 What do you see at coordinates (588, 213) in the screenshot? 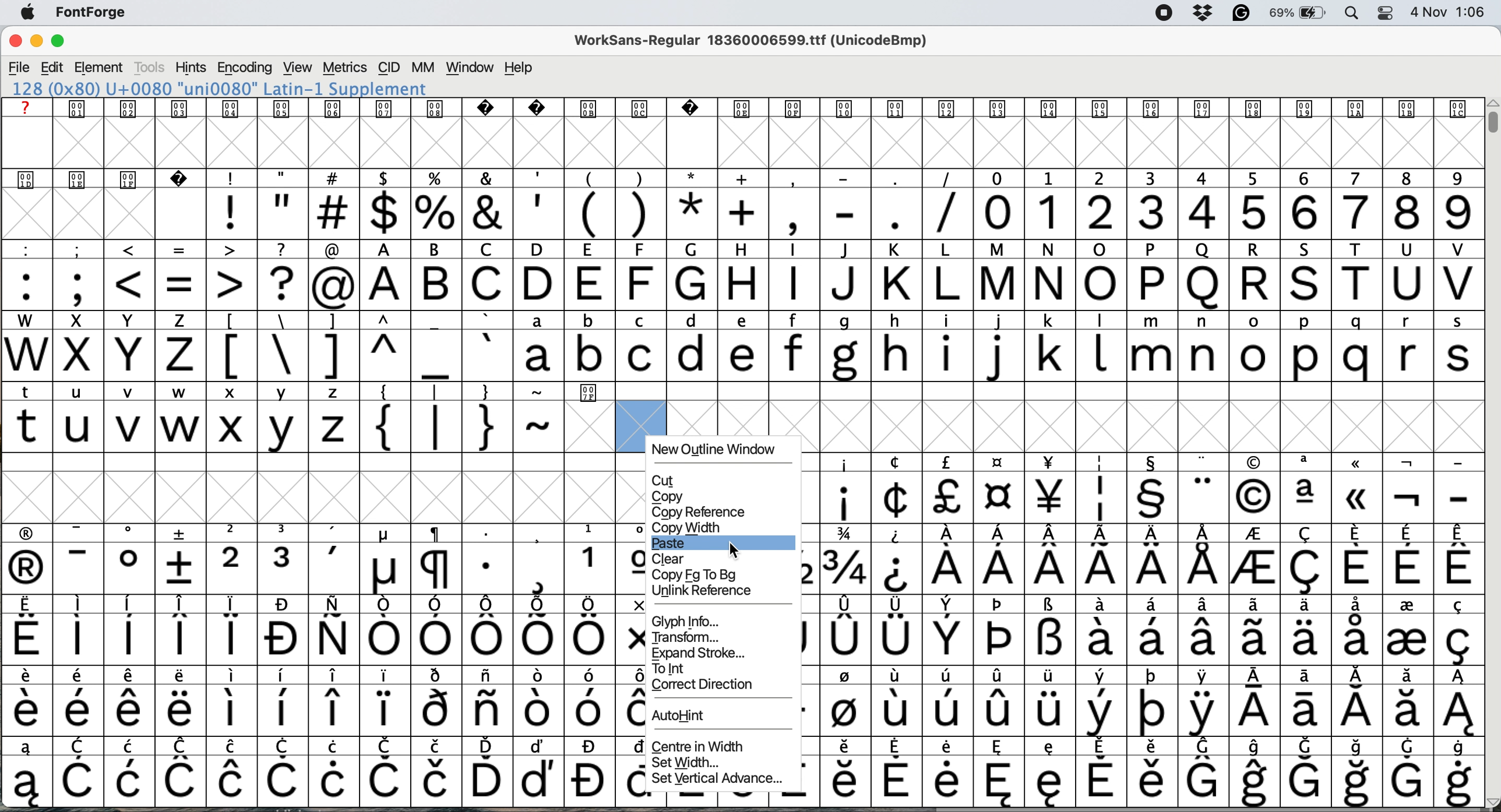
I see `special characters` at bounding box center [588, 213].